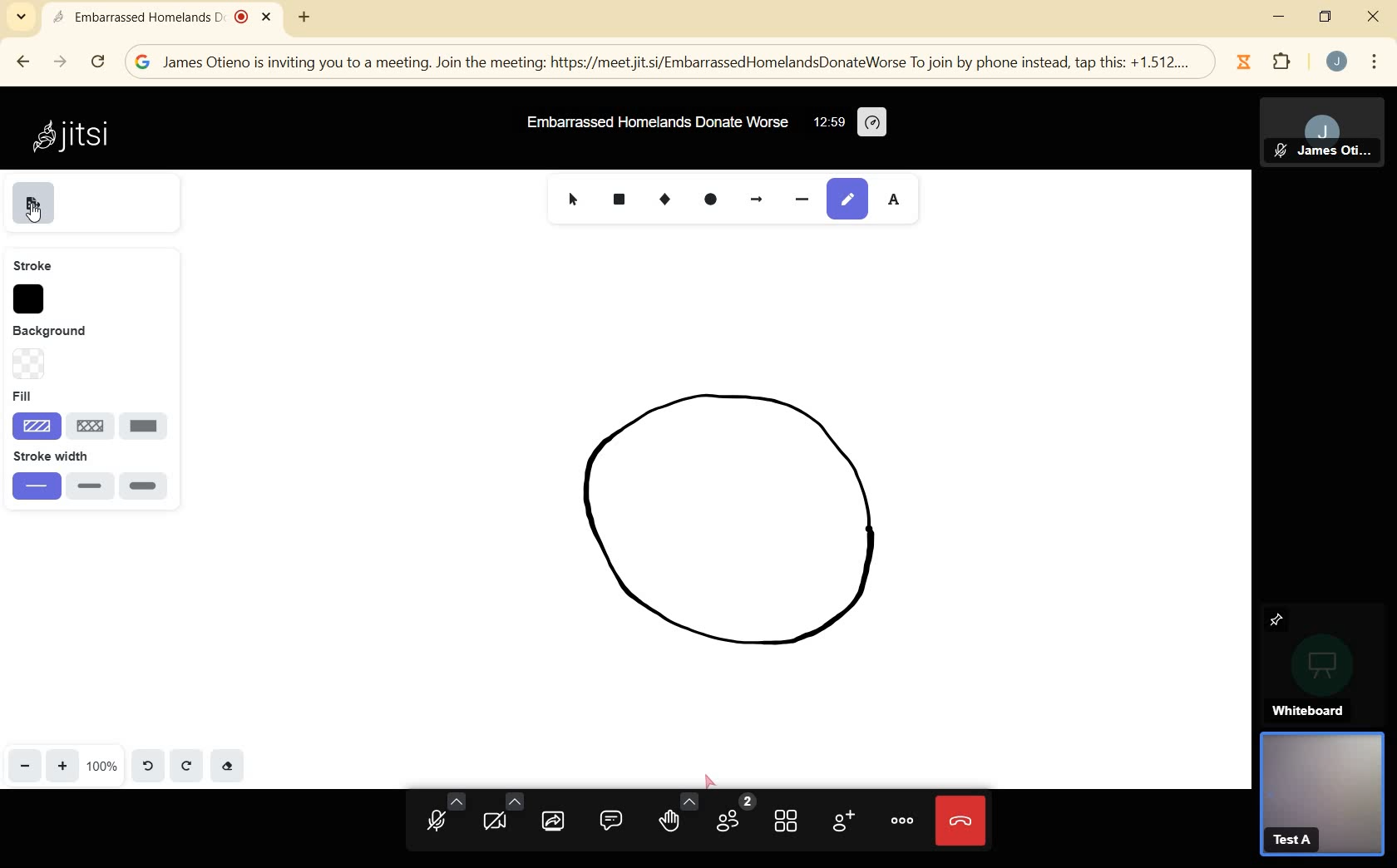 This screenshot has height=868, width=1397. I want to click on solid, so click(146, 426).